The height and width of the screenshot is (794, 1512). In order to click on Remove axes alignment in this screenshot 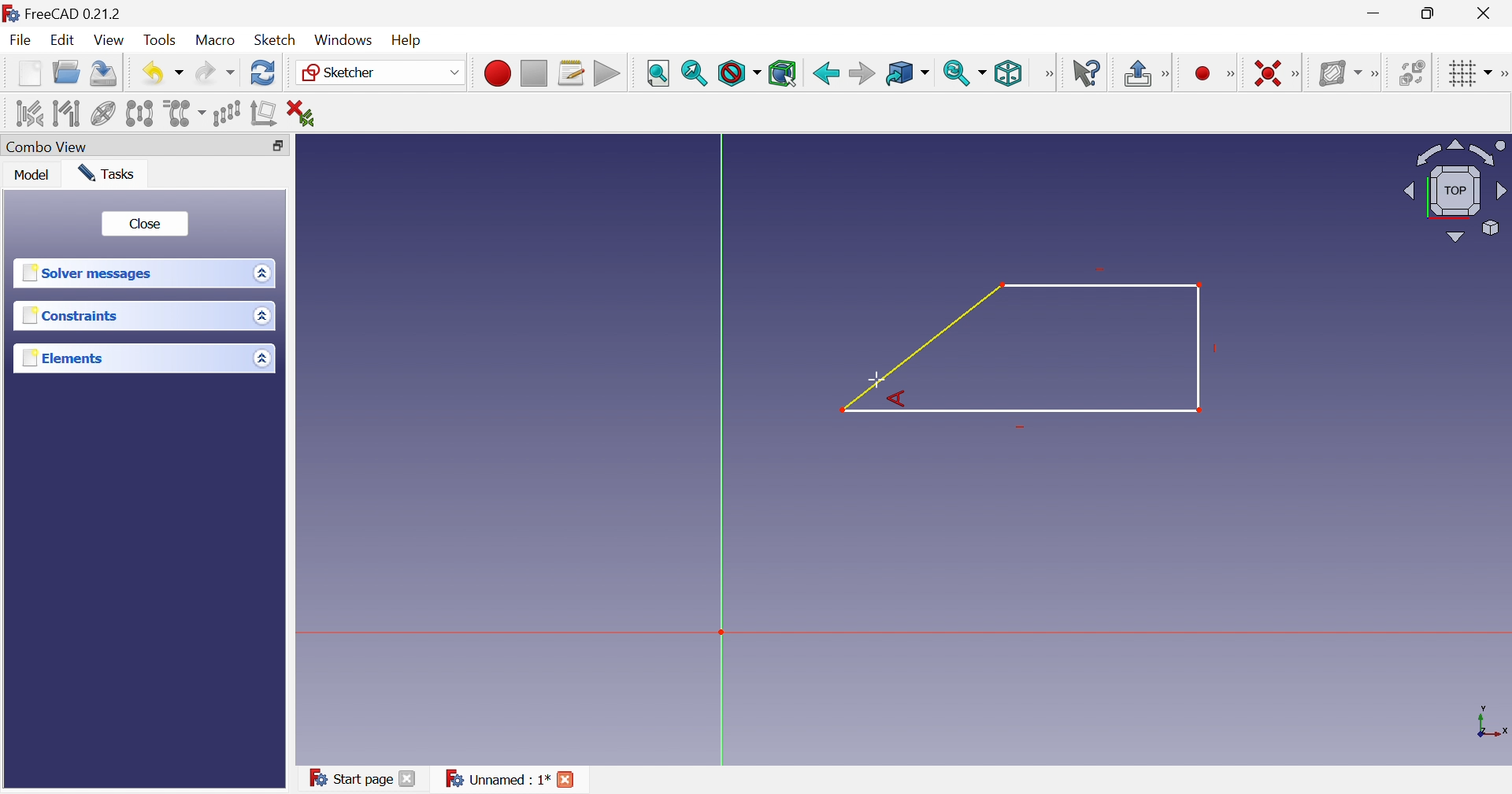, I will do `click(264, 116)`.